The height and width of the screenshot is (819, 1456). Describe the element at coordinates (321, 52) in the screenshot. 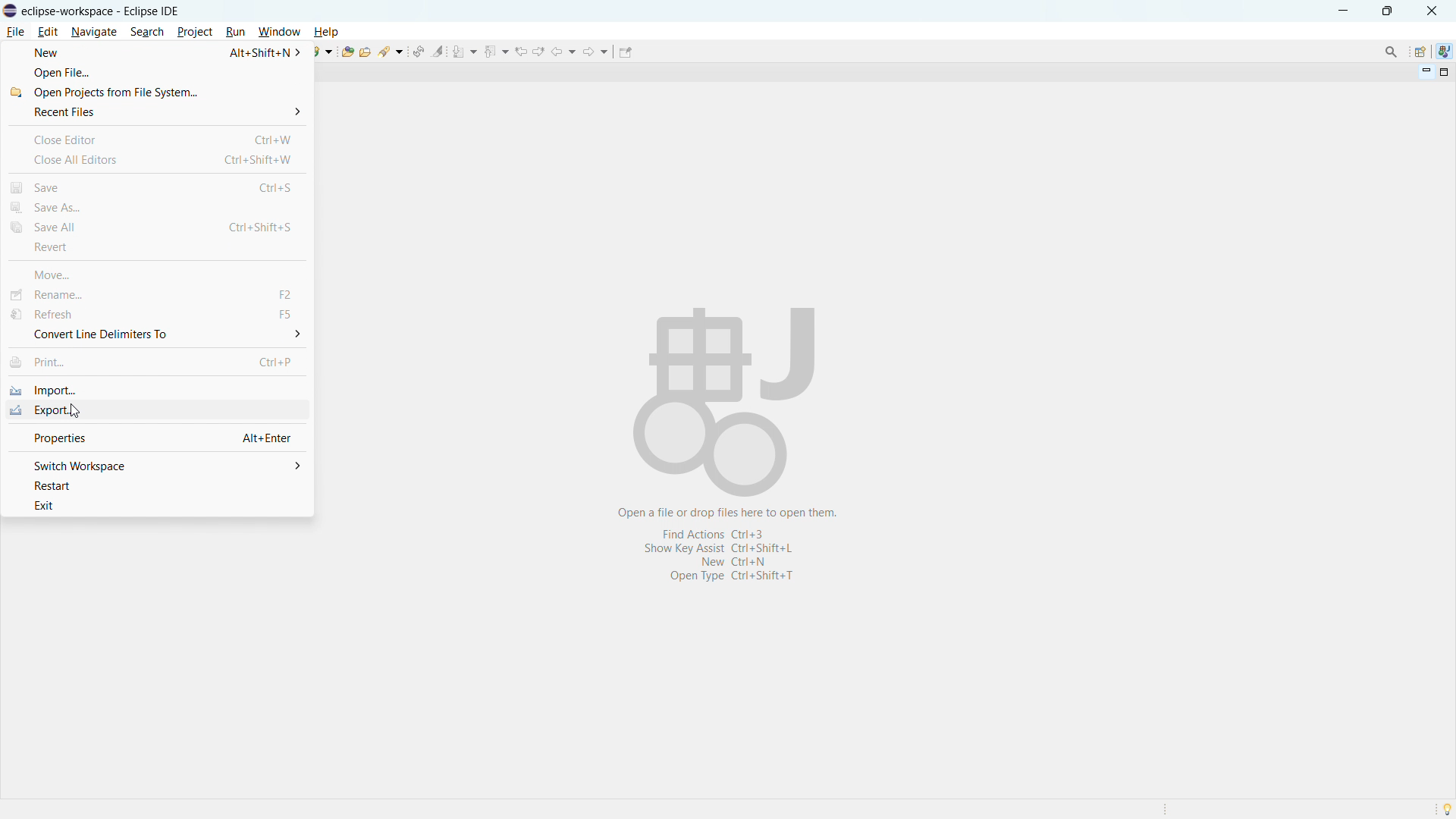

I see `new java class` at that location.